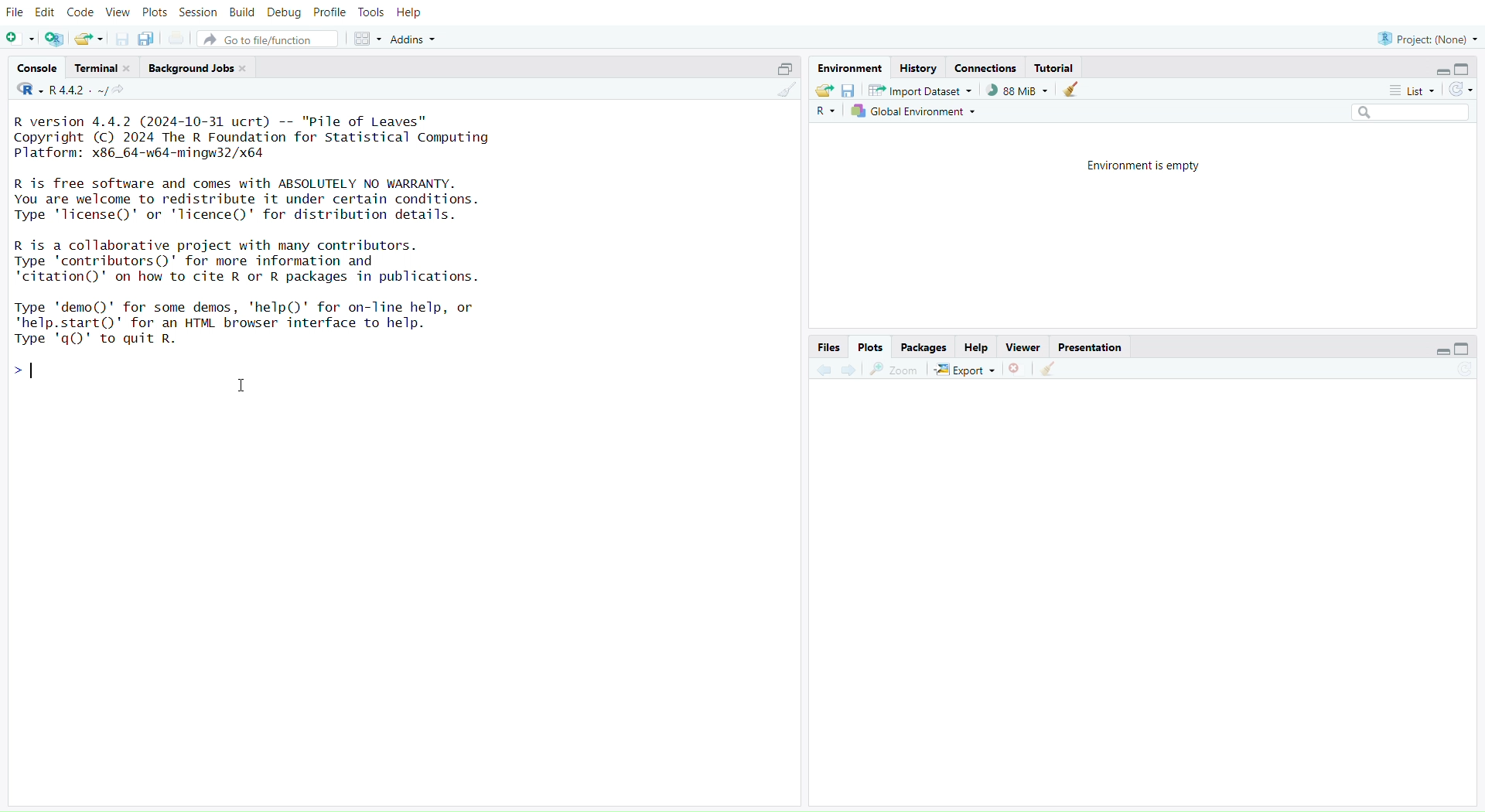 Image resolution: width=1485 pixels, height=812 pixels. I want to click on plots, so click(156, 12).